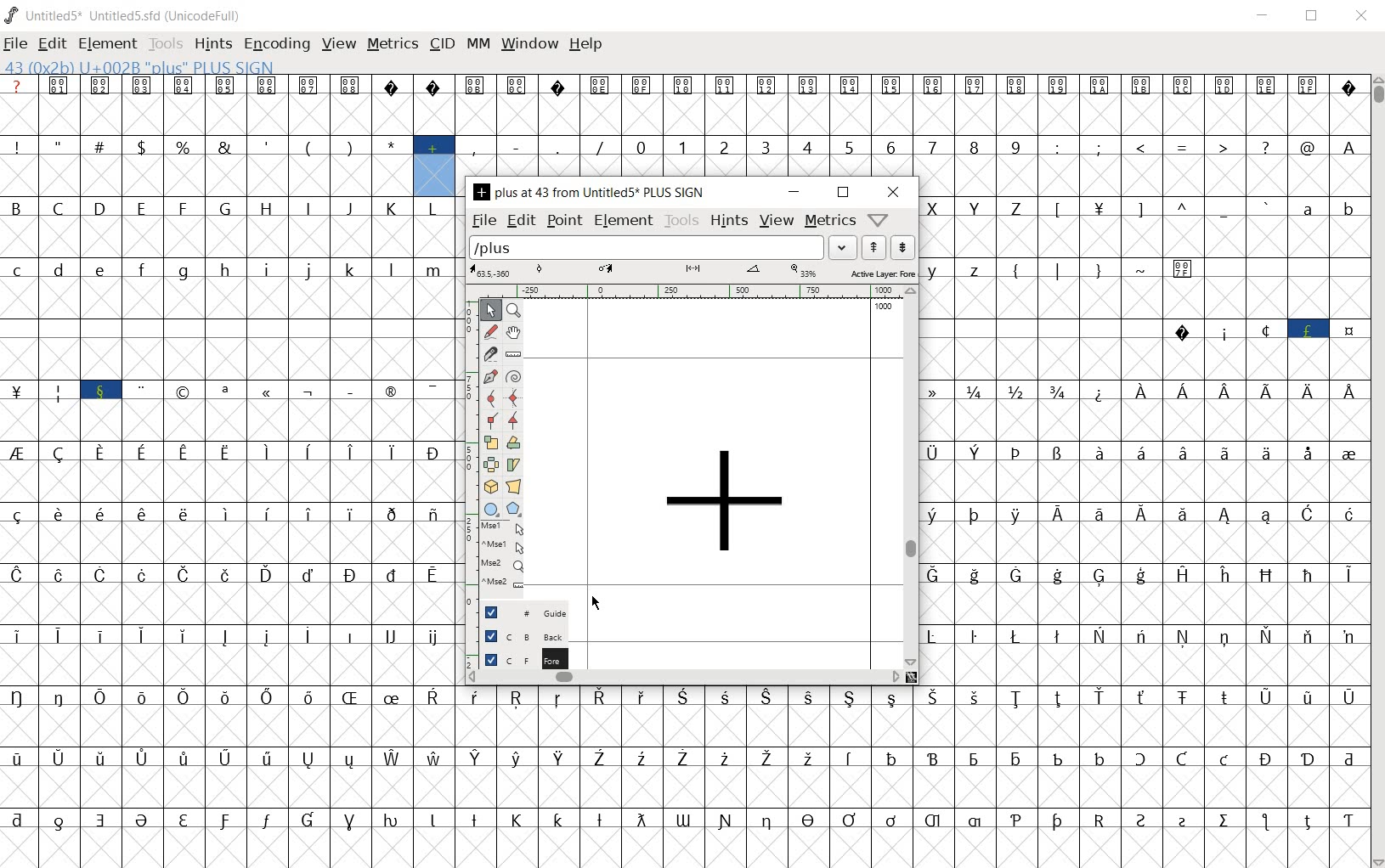 Image resolution: width=1385 pixels, height=868 pixels. What do you see at coordinates (514, 507) in the screenshot?
I see `polygon or star` at bounding box center [514, 507].